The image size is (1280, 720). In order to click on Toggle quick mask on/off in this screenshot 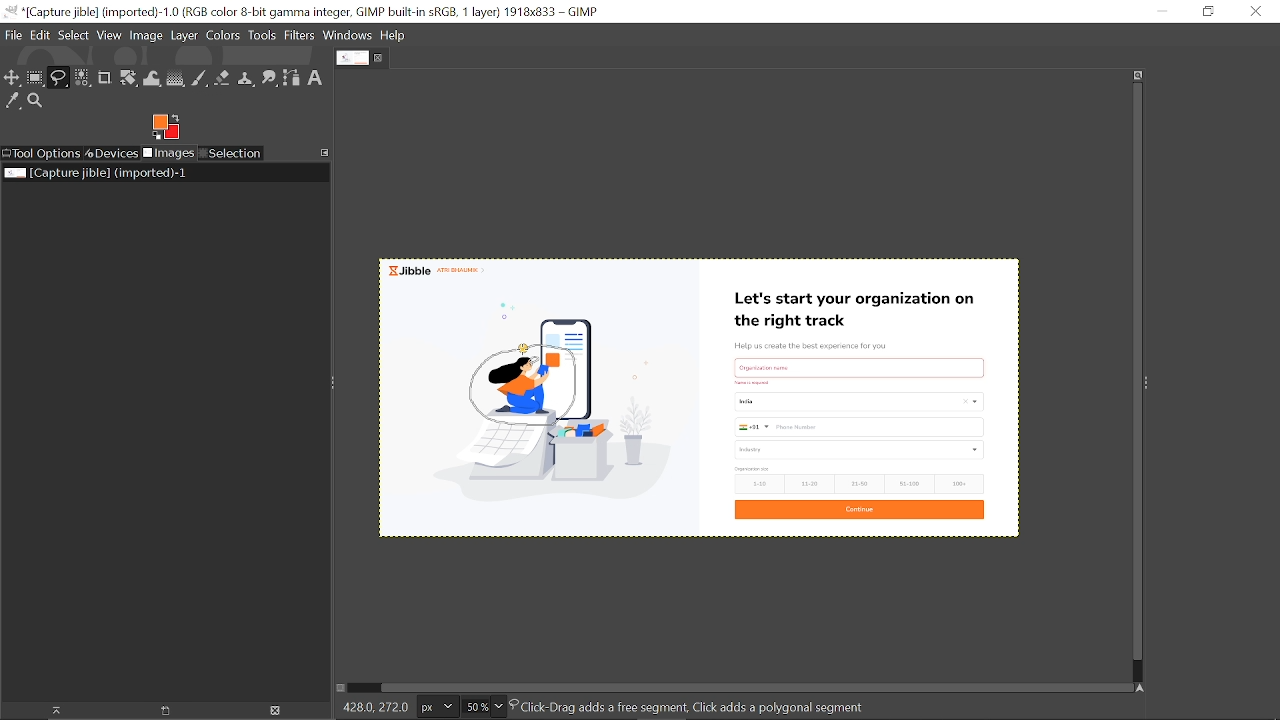, I will do `click(339, 688)`.